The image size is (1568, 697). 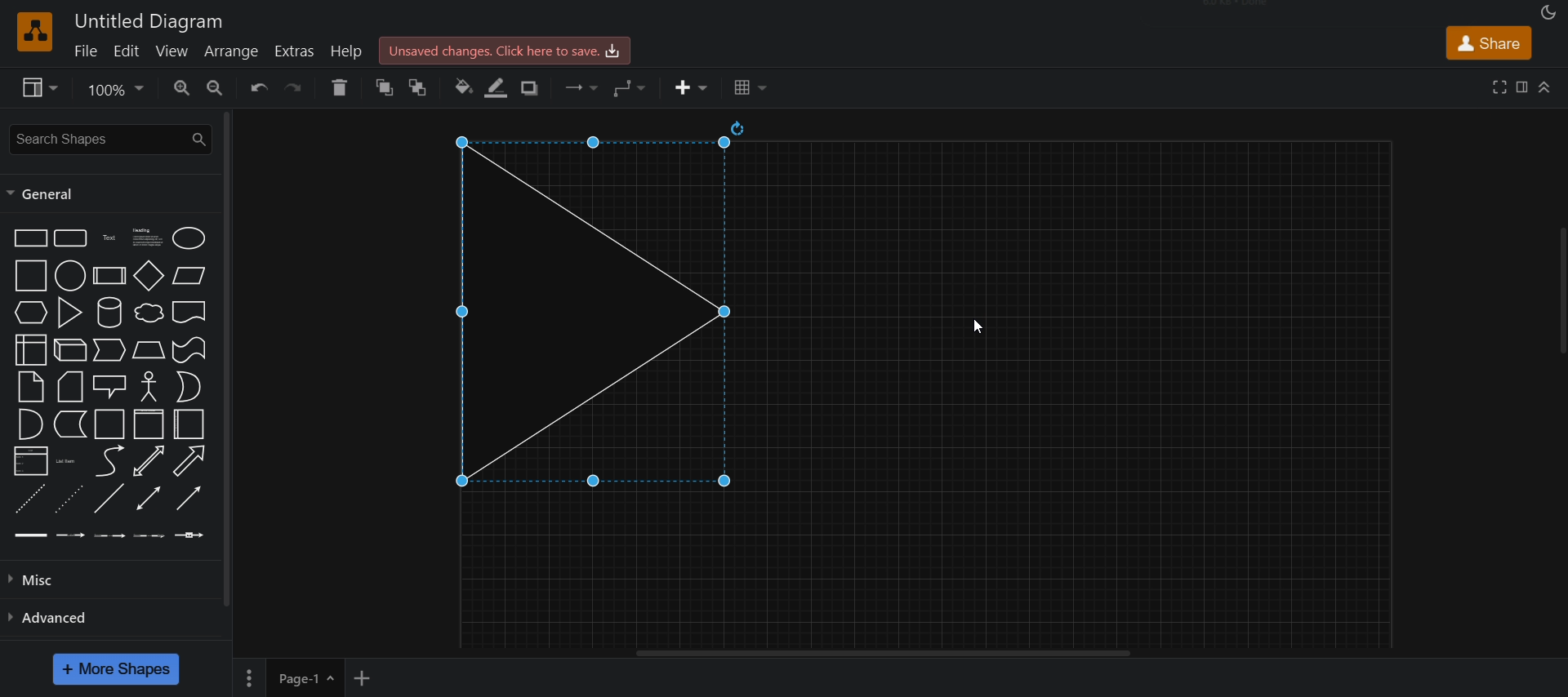 I want to click on more shapes, so click(x=118, y=669).